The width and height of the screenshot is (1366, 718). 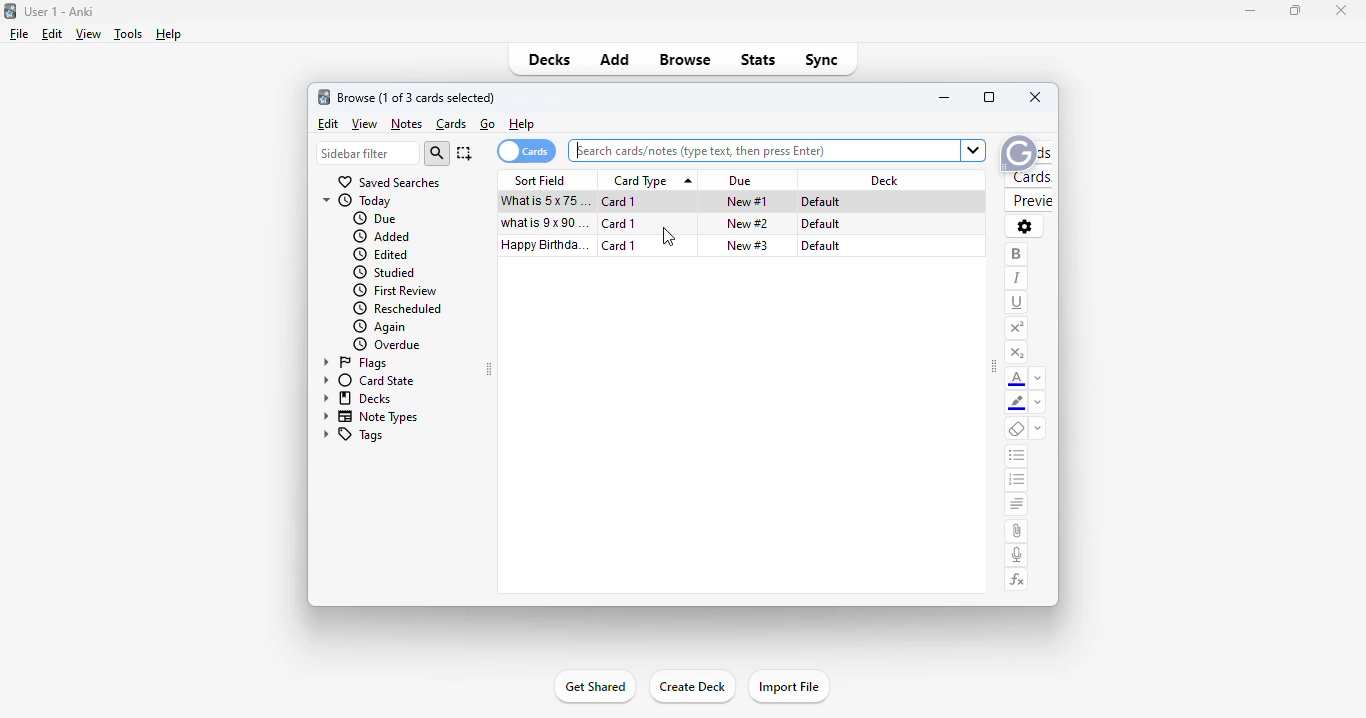 What do you see at coordinates (128, 34) in the screenshot?
I see `tools` at bounding box center [128, 34].